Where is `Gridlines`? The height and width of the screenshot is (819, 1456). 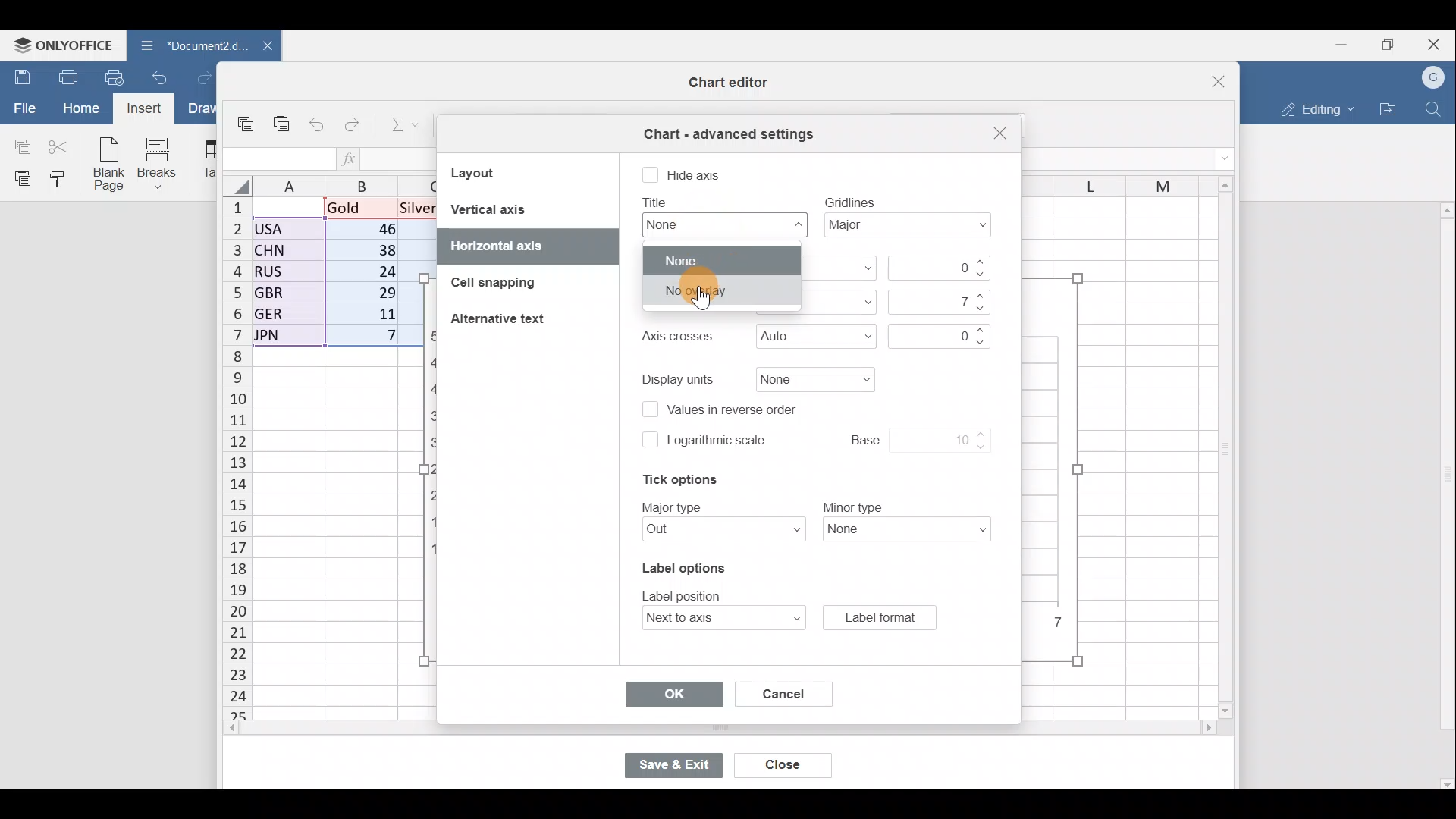
Gridlines is located at coordinates (913, 228).